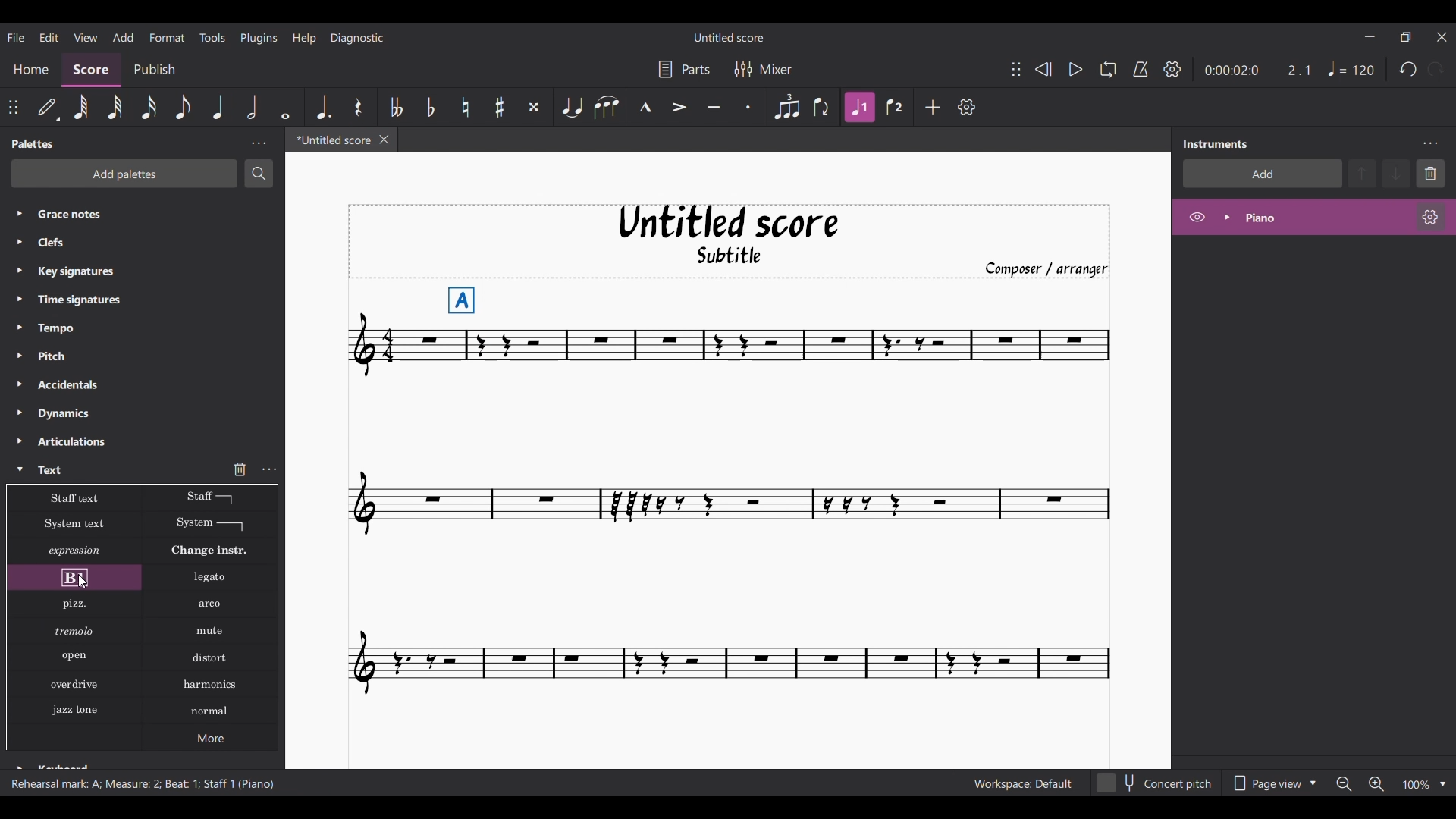 The height and width of the screenshot is (819, 1456). Describe the element at coordinates (1417, 784) in the screenshot. I see `Zoom factor` at that location.